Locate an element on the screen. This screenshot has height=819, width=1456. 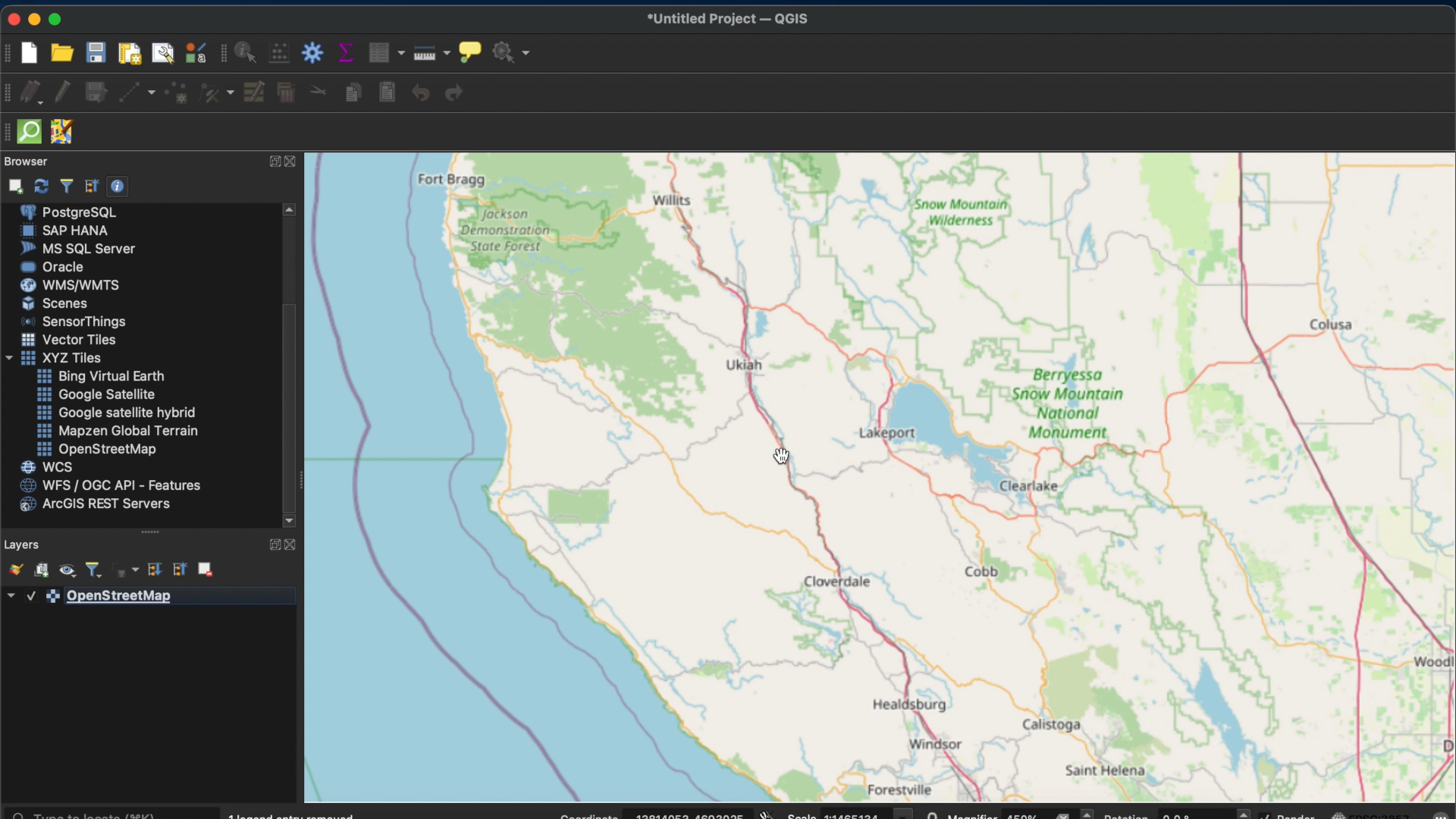
JOSM remote is located at coordinates (61, 132).